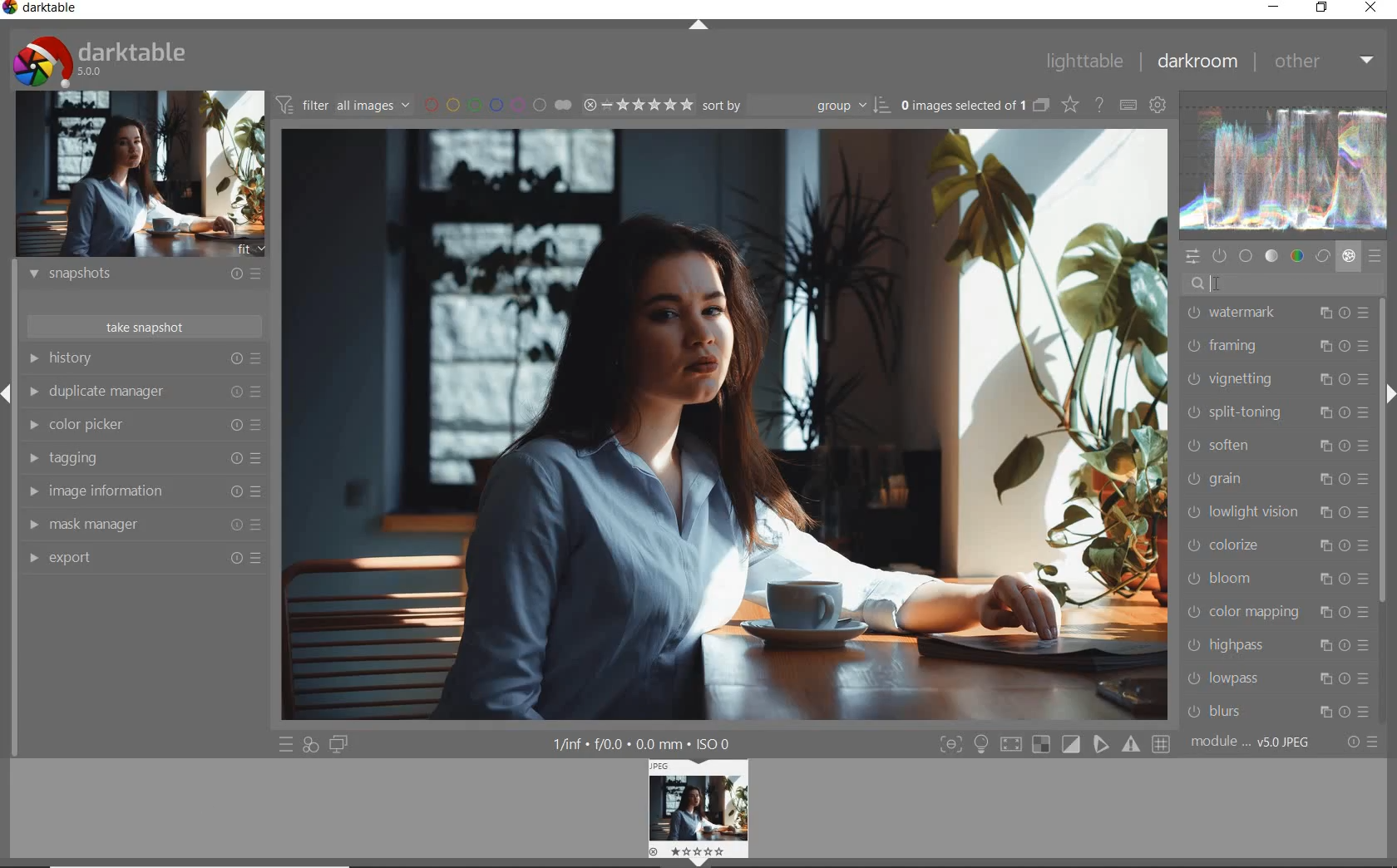 This screenshot has width=1397, height=868. What do you see at coordinates (1277, 414) in the screenshot?
I see `split-toning` at bounding box center [1277, 414].